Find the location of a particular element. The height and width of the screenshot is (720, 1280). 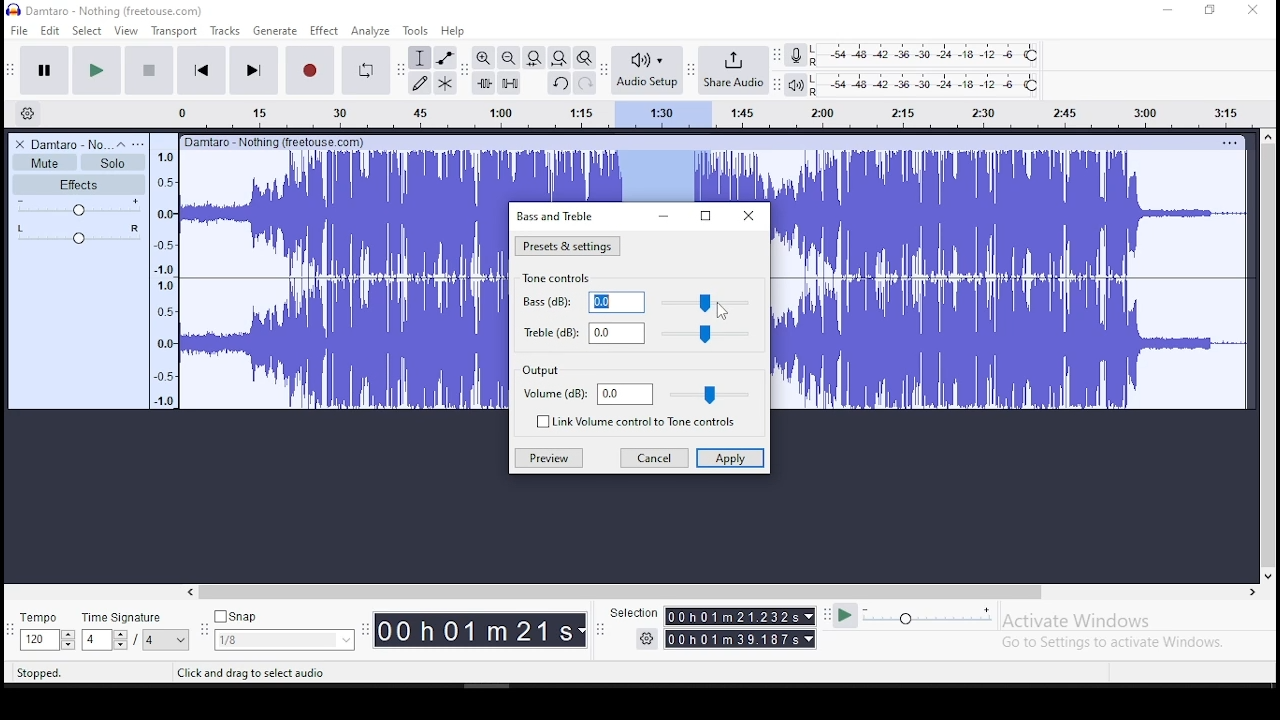

Maximize is located at coordinates (705, 217).